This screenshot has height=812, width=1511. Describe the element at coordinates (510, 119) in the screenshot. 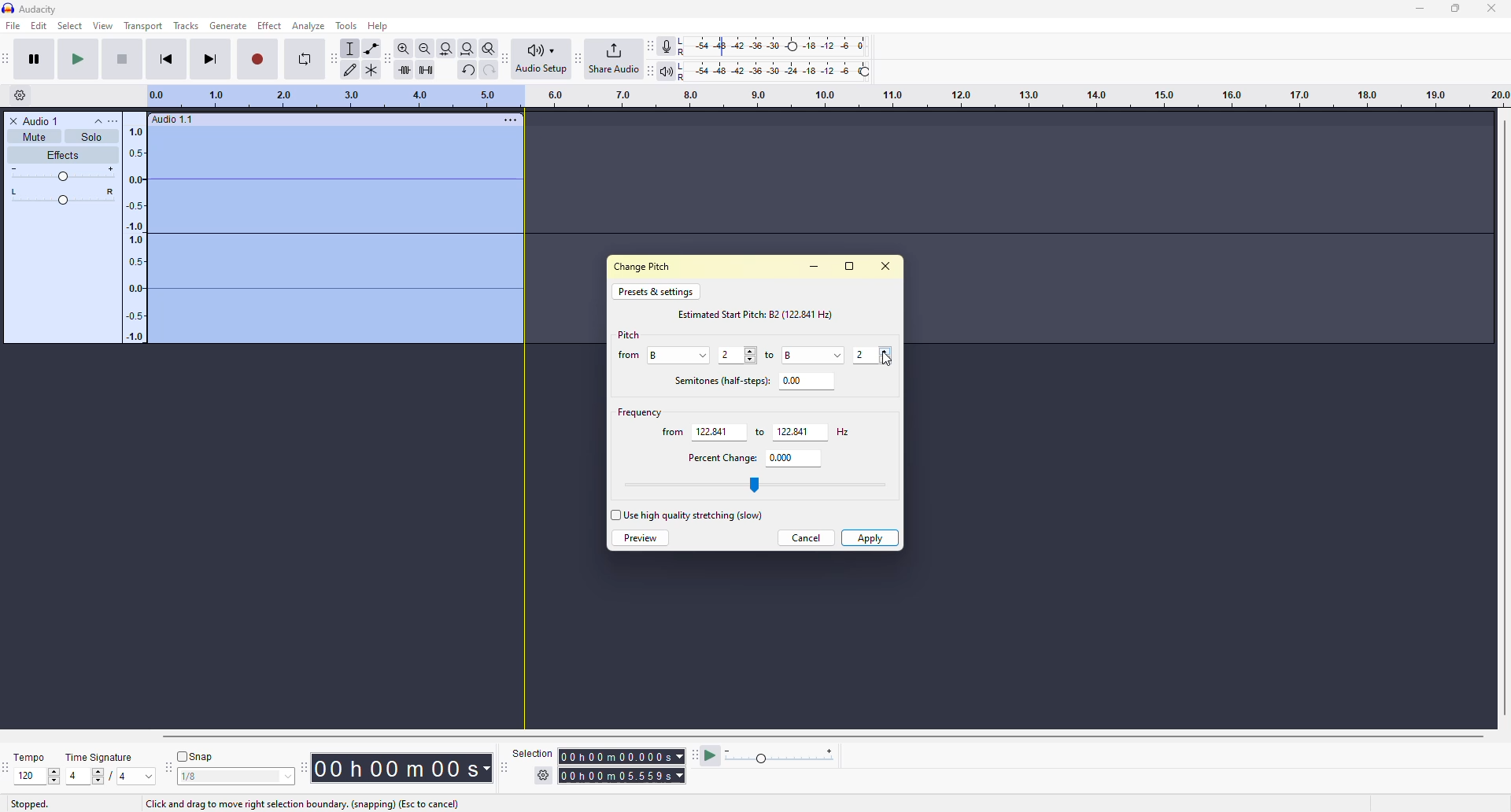

I see `more` at that location.